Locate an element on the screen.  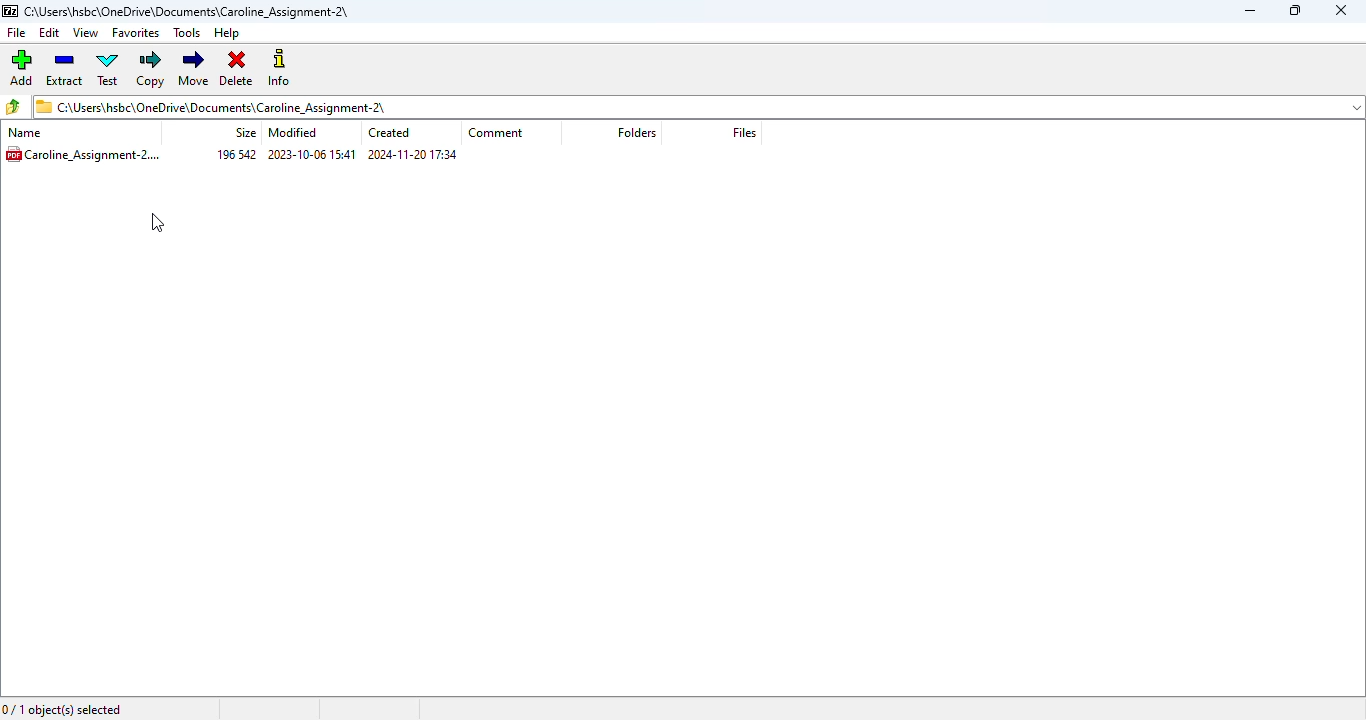
i C\Users\hsbc\OneDrive\Docum is located at coordinates (698, 106).